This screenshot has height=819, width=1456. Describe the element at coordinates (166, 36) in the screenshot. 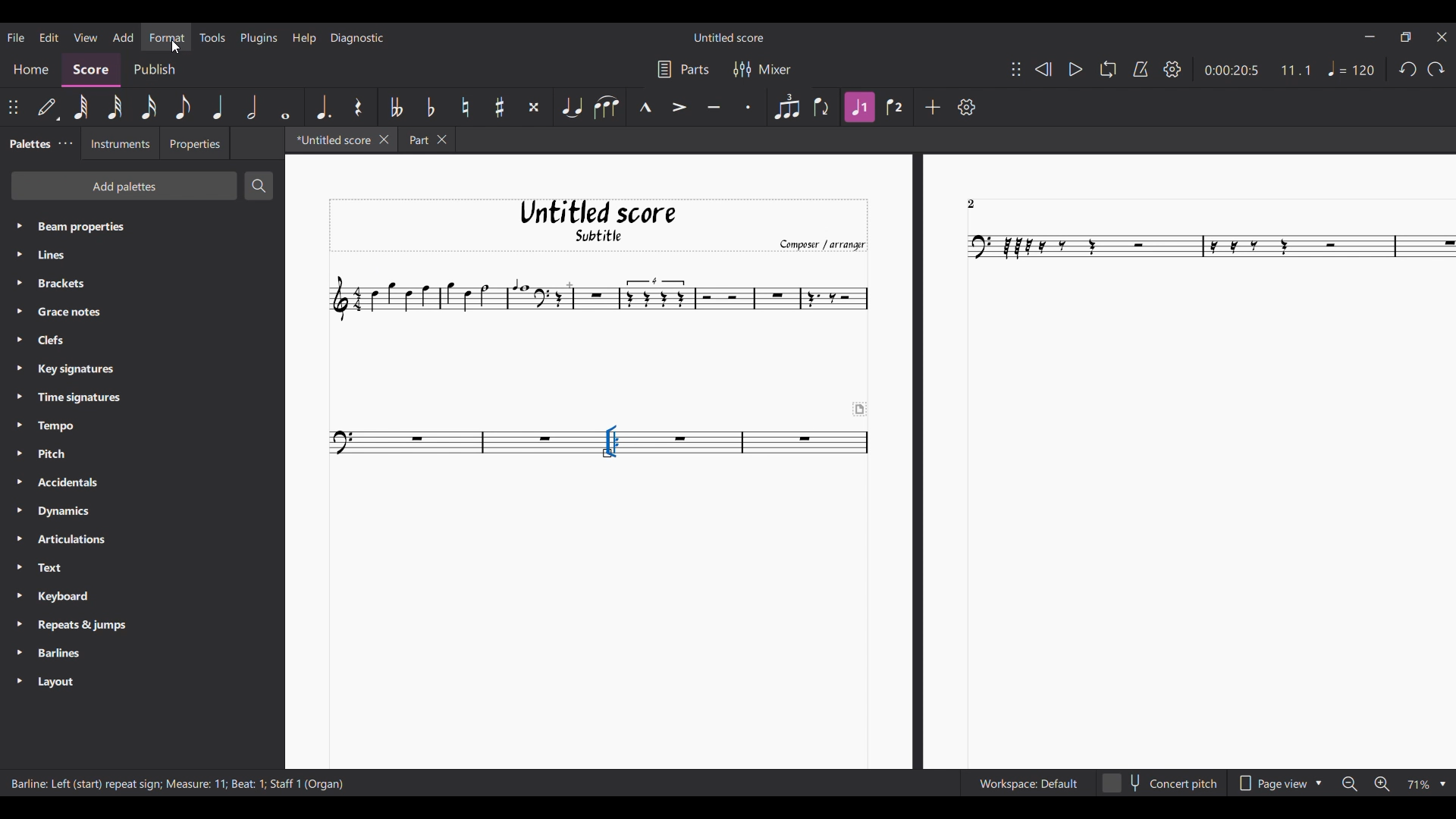

I see `Highlighted by cursor` at that location.